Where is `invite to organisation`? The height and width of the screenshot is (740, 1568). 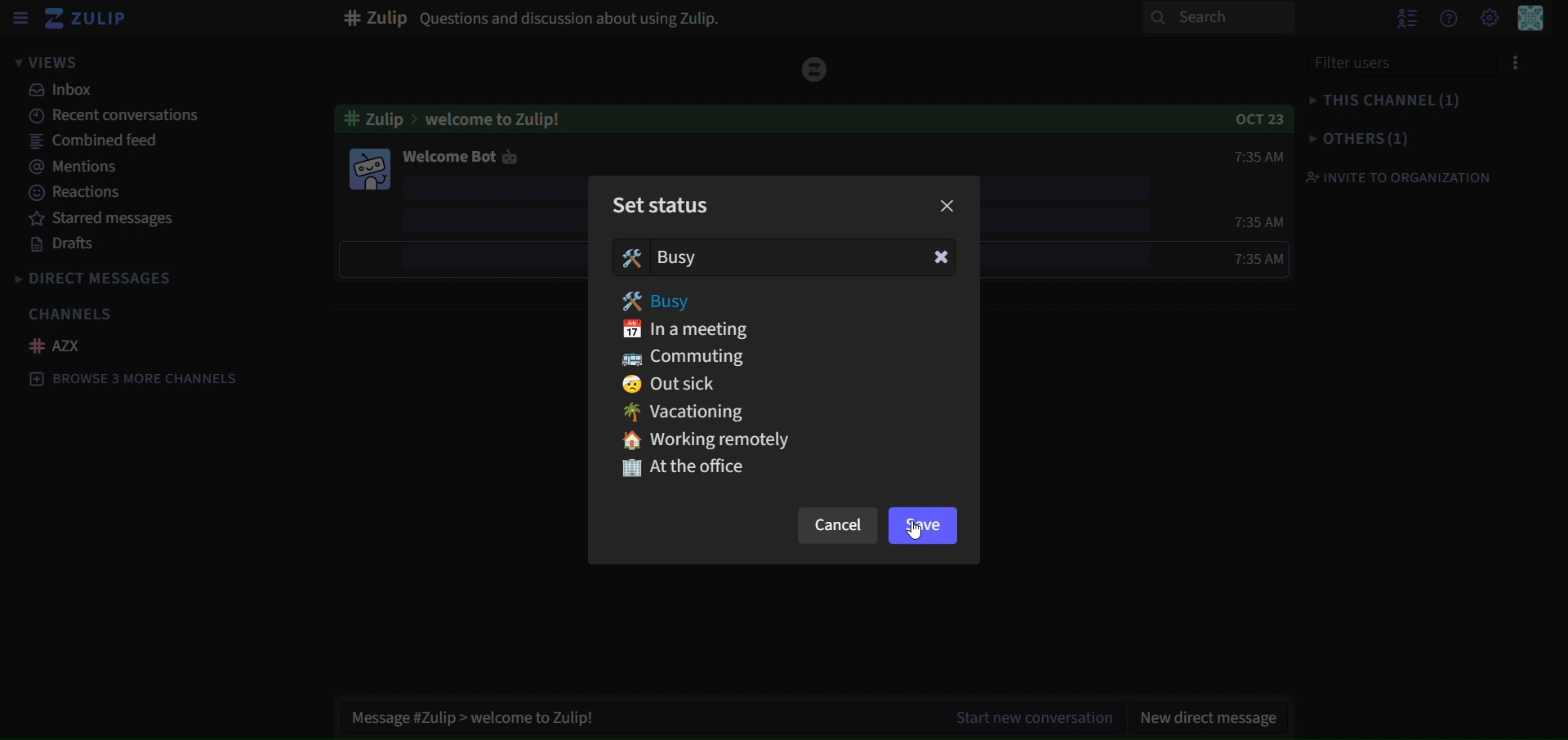 invite to organisation is located at coordinates (1397, 176).